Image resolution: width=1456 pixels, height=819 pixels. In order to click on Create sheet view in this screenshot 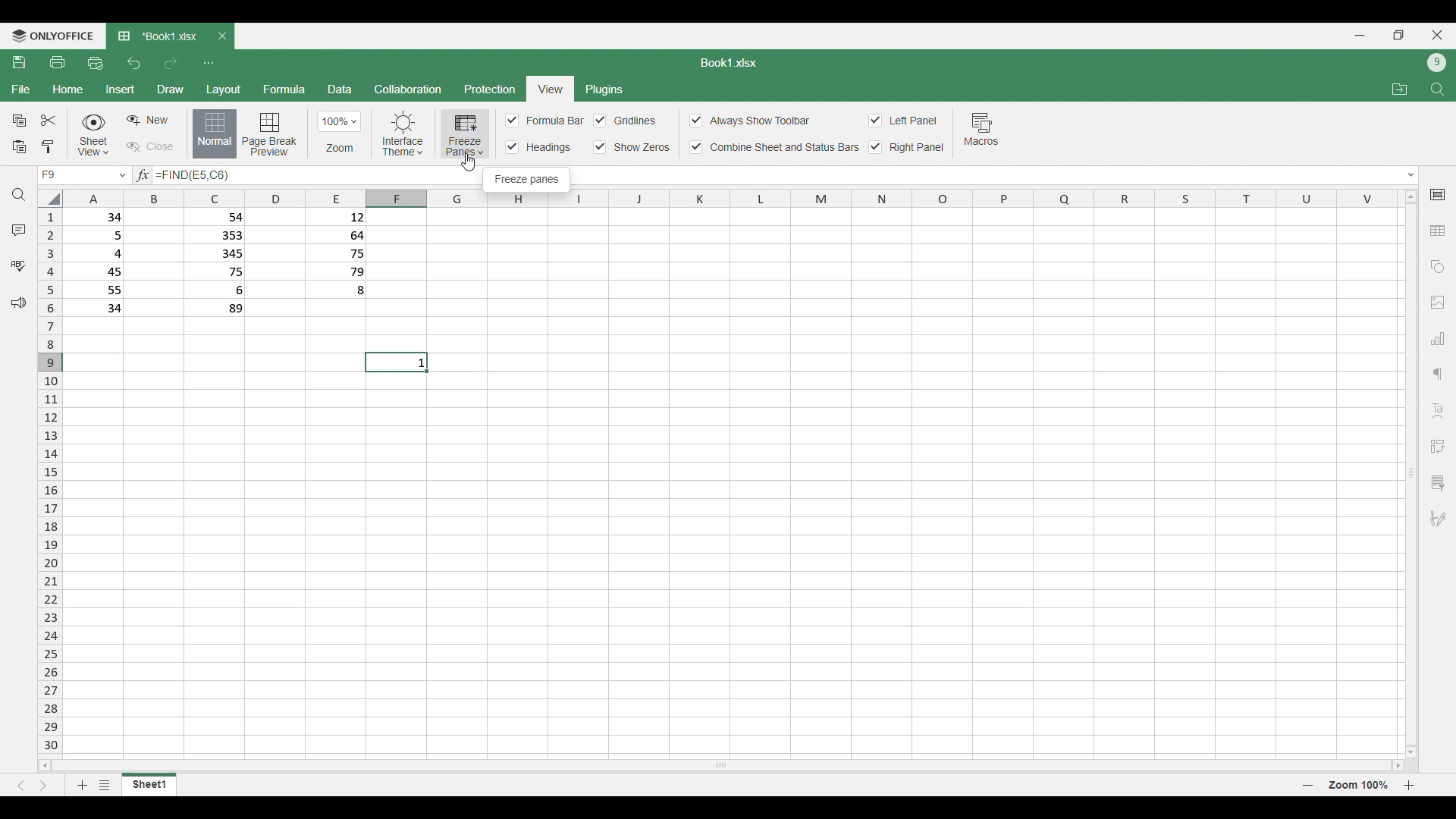, I will do `click(149, 120)`.